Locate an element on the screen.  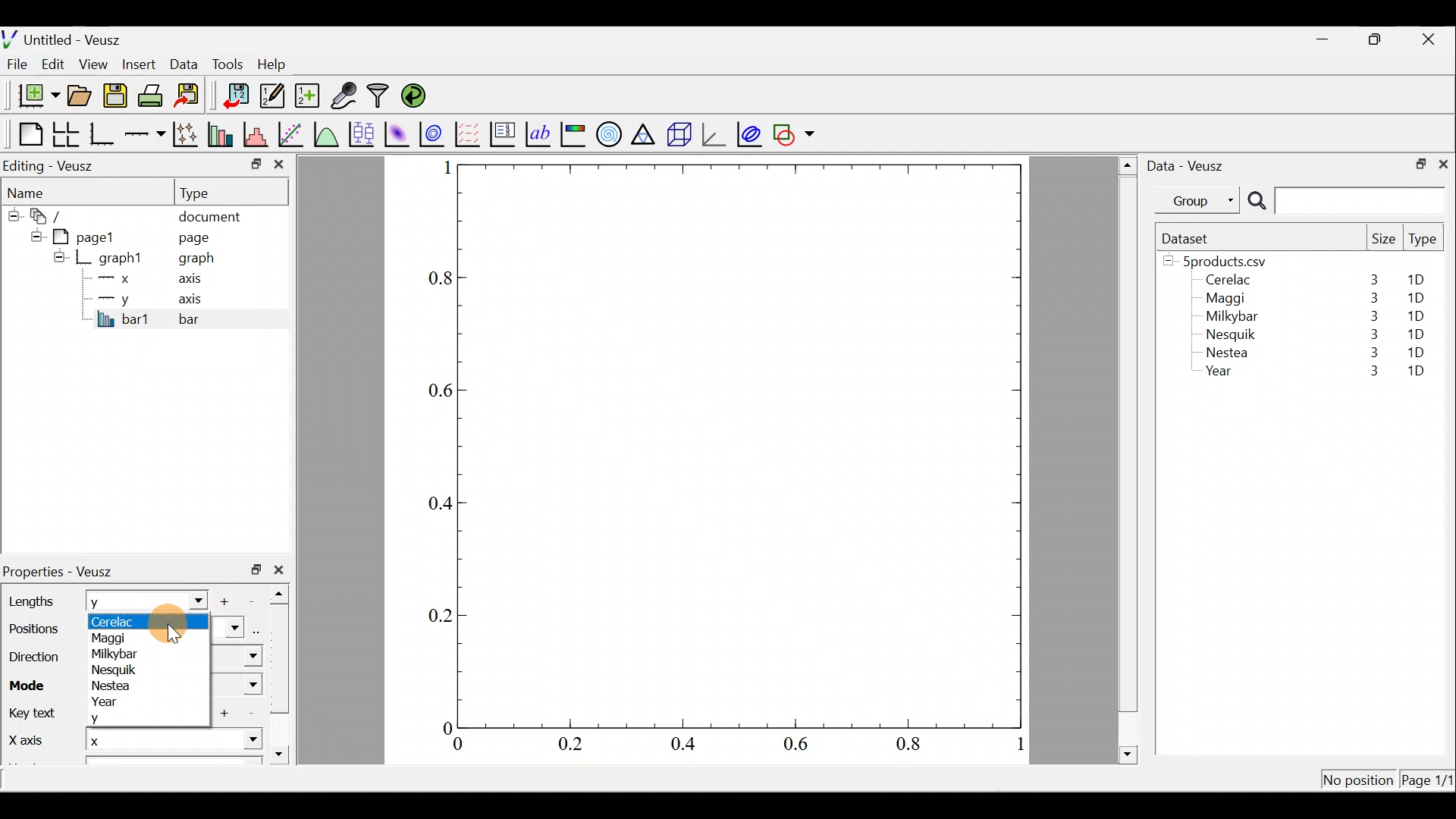
Arrange graphs in a grid is located at coordinates (65, 134).